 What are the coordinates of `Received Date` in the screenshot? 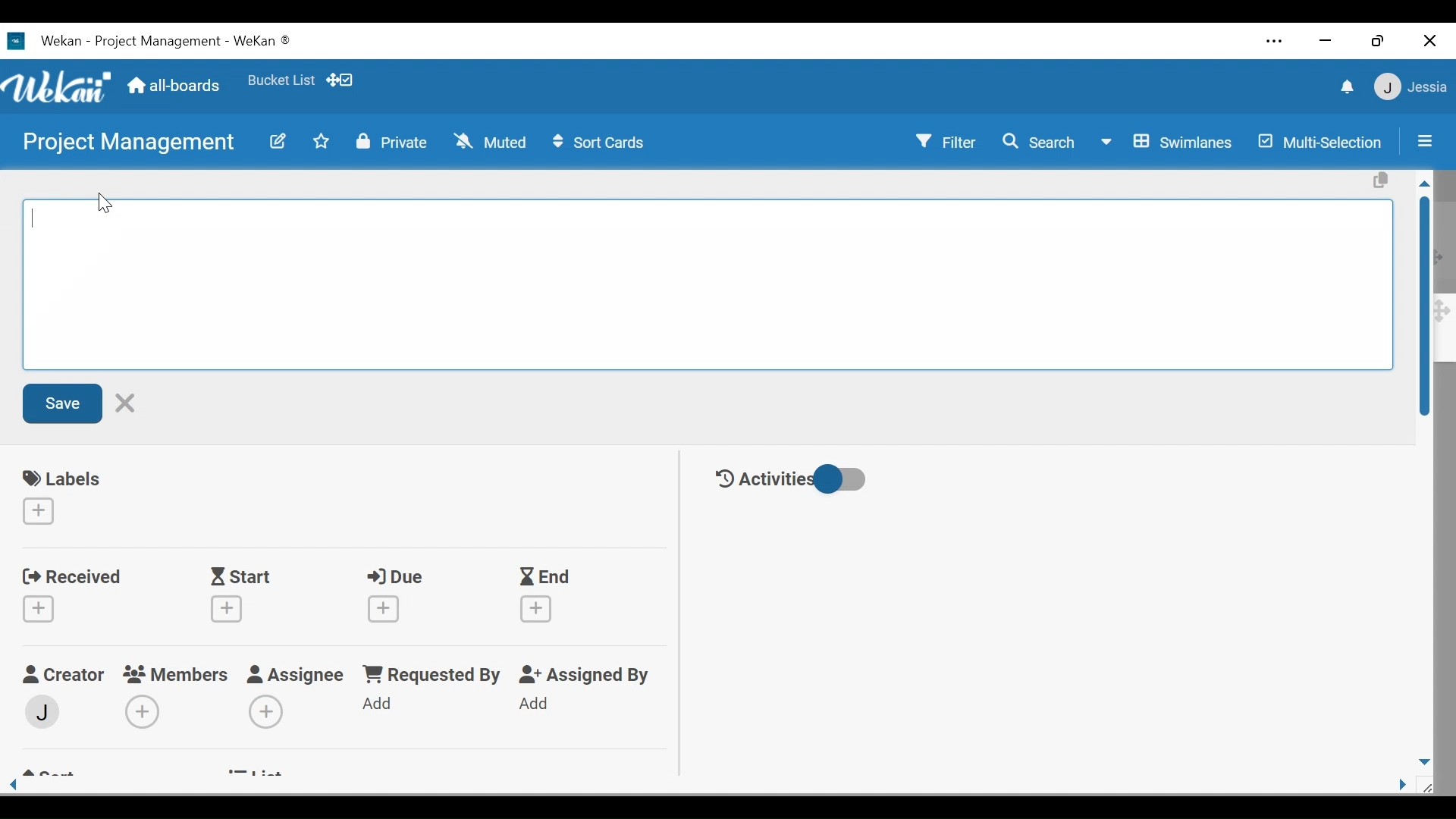 It's located at (74, 576).